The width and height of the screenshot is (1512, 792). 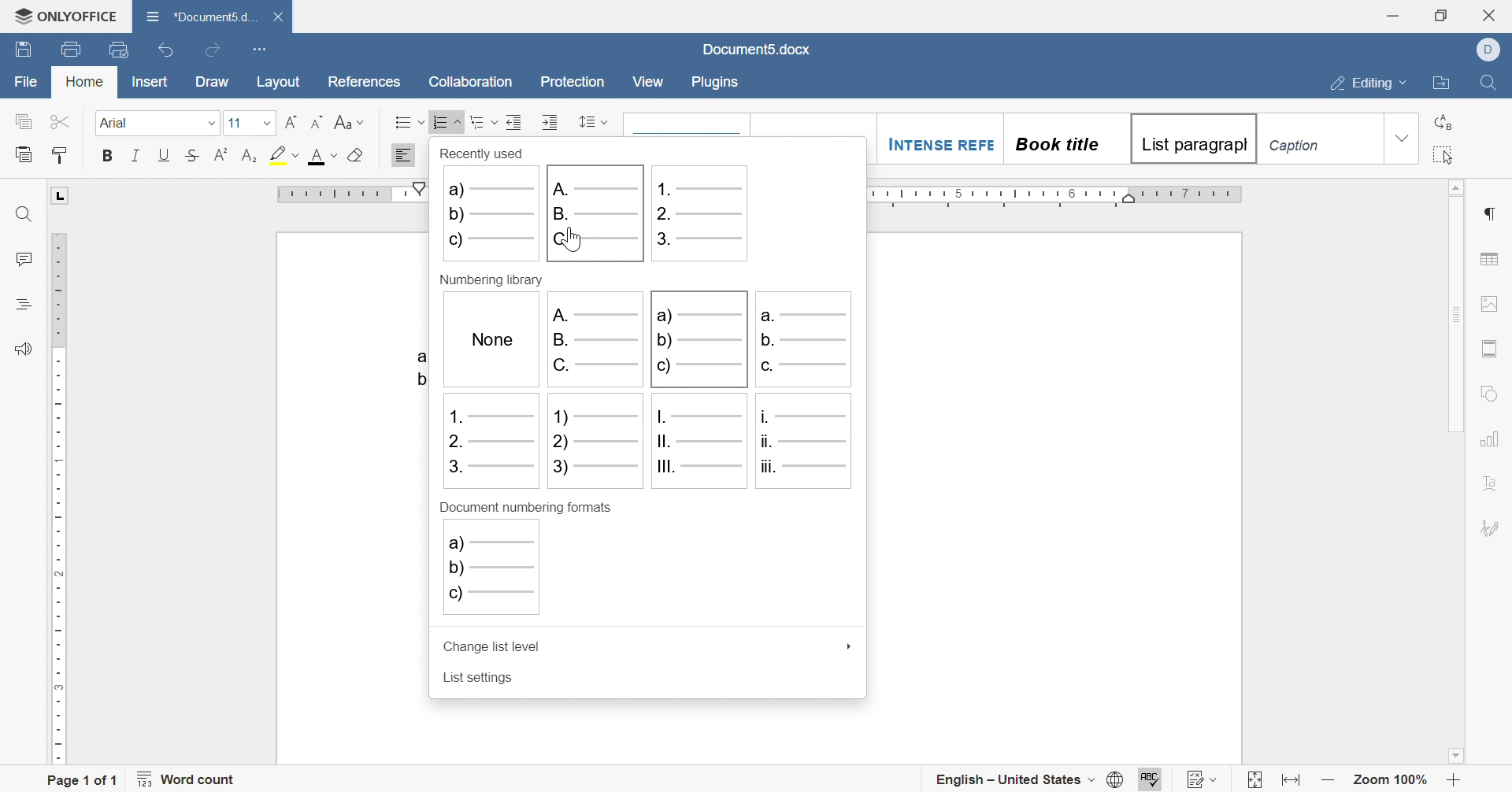 What do you see at coordinates (1455, 781) in the screenshot?
I see `zoom in` at bounding box center [1455, 781].